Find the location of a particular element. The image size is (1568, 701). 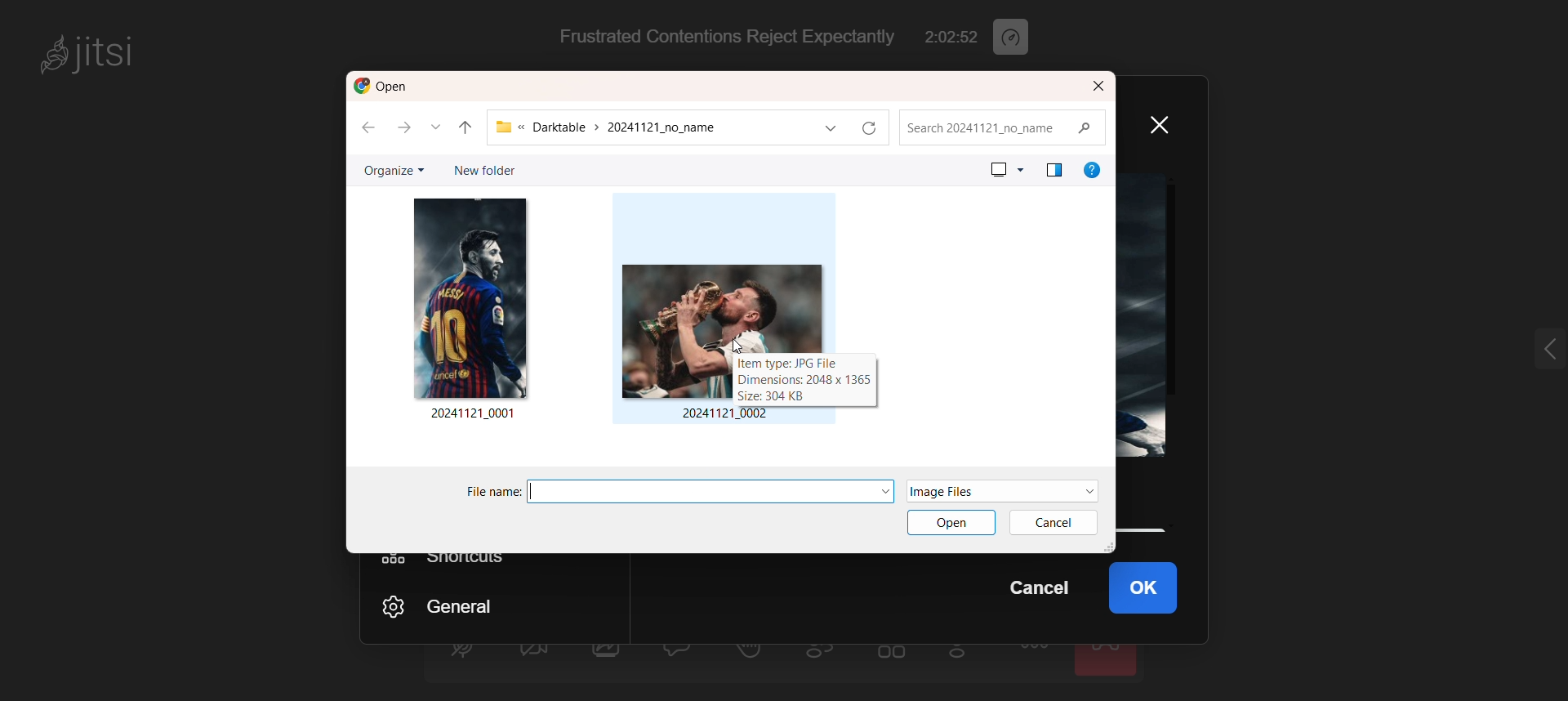

close is located at coordinates (1167, 123).